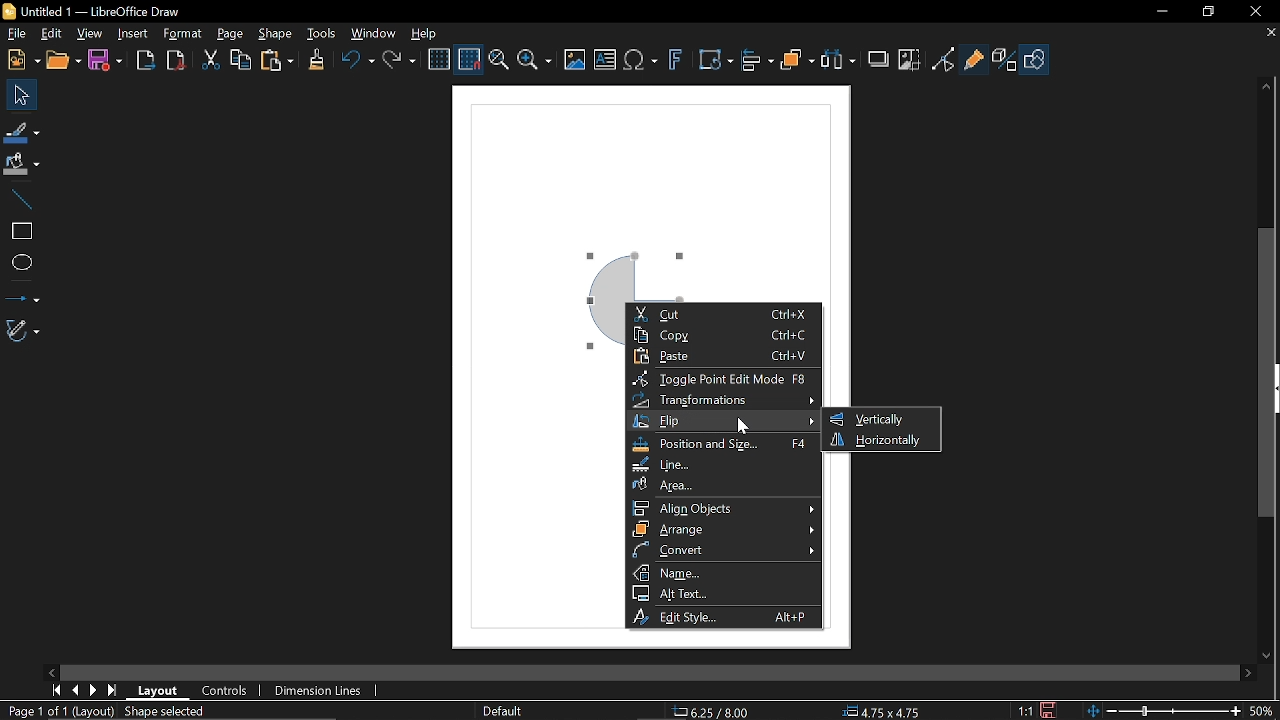  I want to click on open, so click(63, 61).